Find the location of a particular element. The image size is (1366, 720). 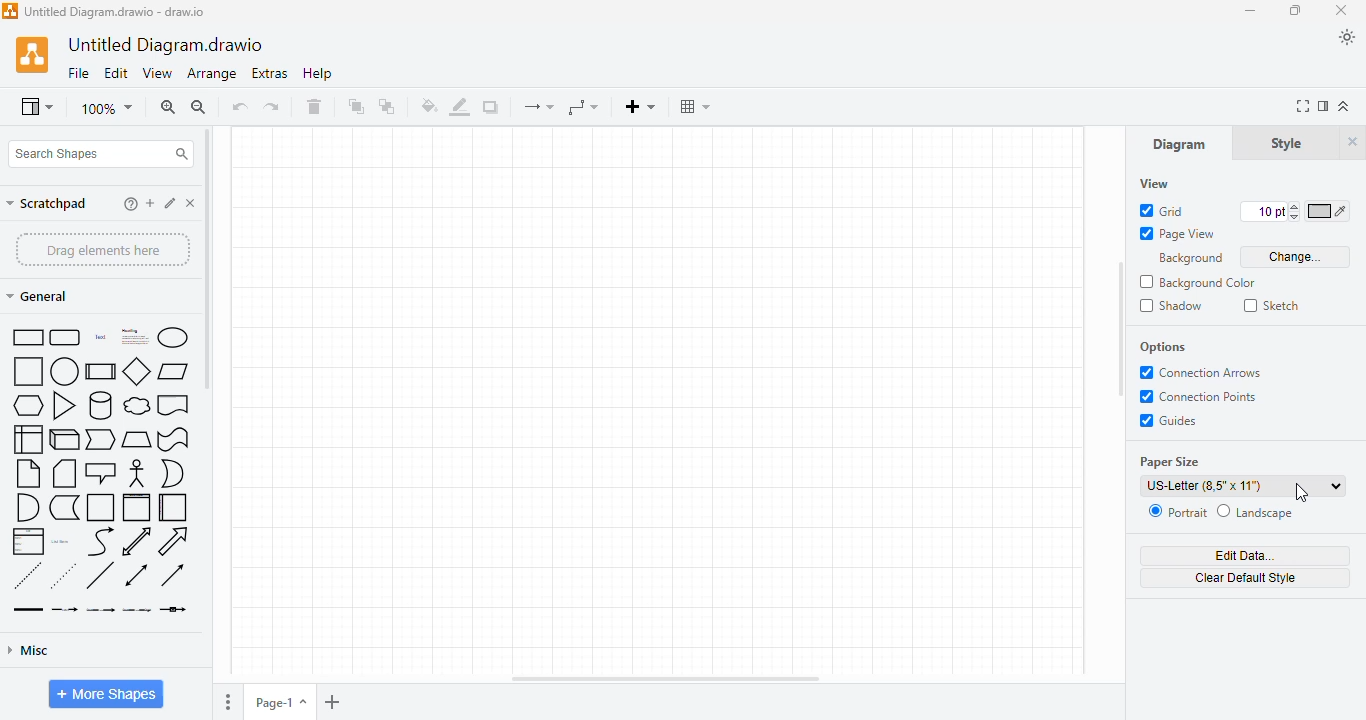

shadow is located at coordinates (490, 106).